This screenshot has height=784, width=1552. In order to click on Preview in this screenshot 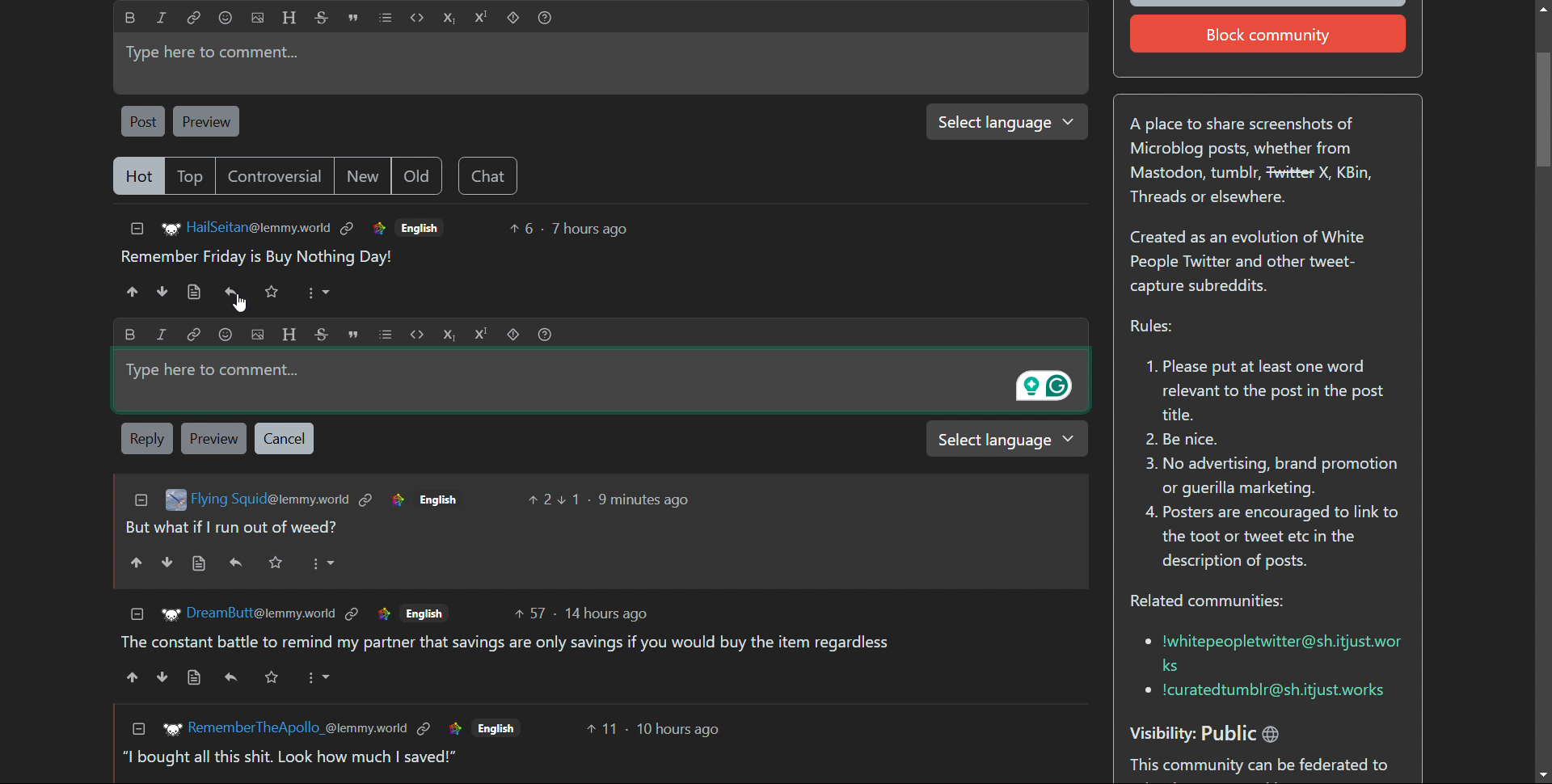, I will do `click(213, 436)`.